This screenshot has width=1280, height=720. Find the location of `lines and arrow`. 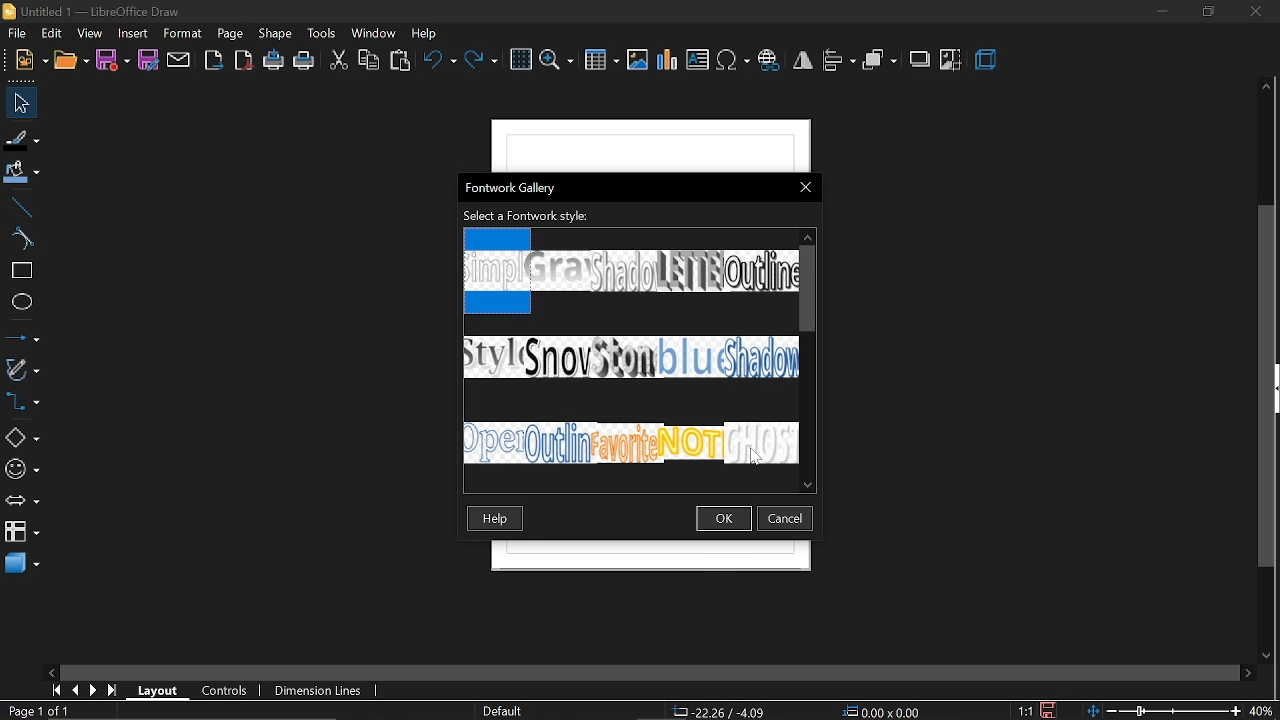

lines and arrow is located at coordinates (22, 337).